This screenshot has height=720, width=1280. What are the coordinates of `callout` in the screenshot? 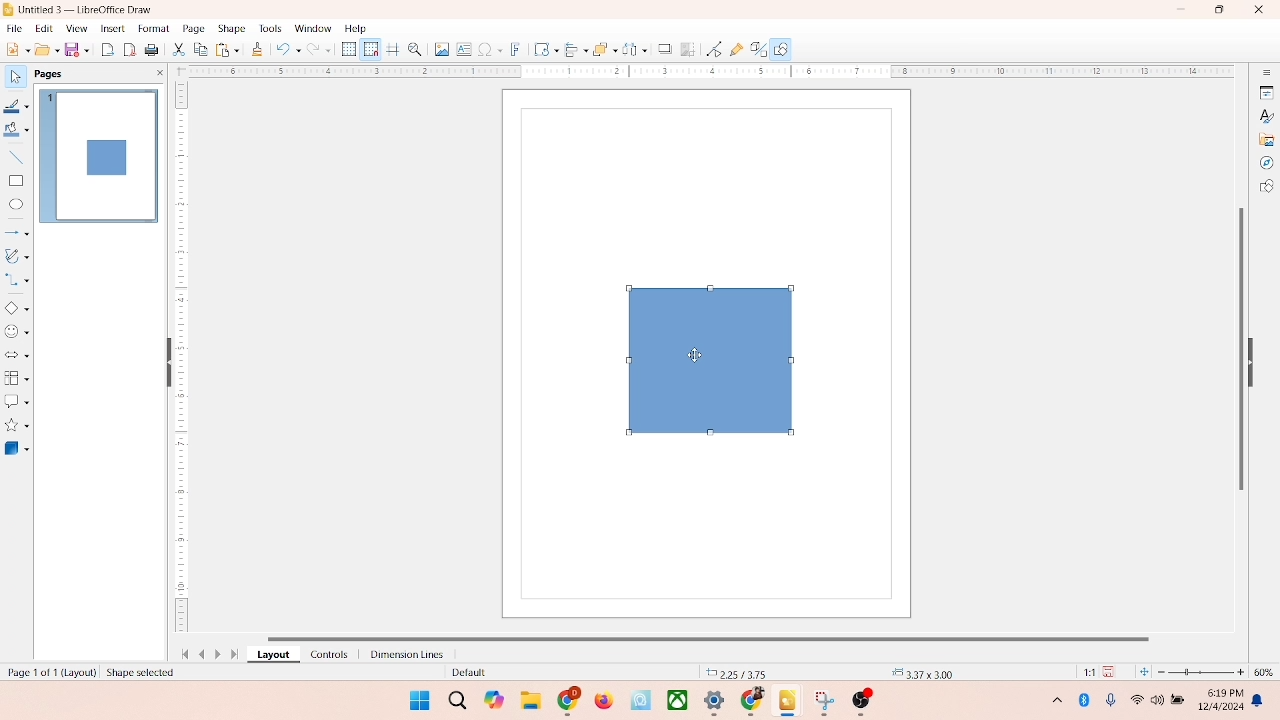 It's located at (16, 401).